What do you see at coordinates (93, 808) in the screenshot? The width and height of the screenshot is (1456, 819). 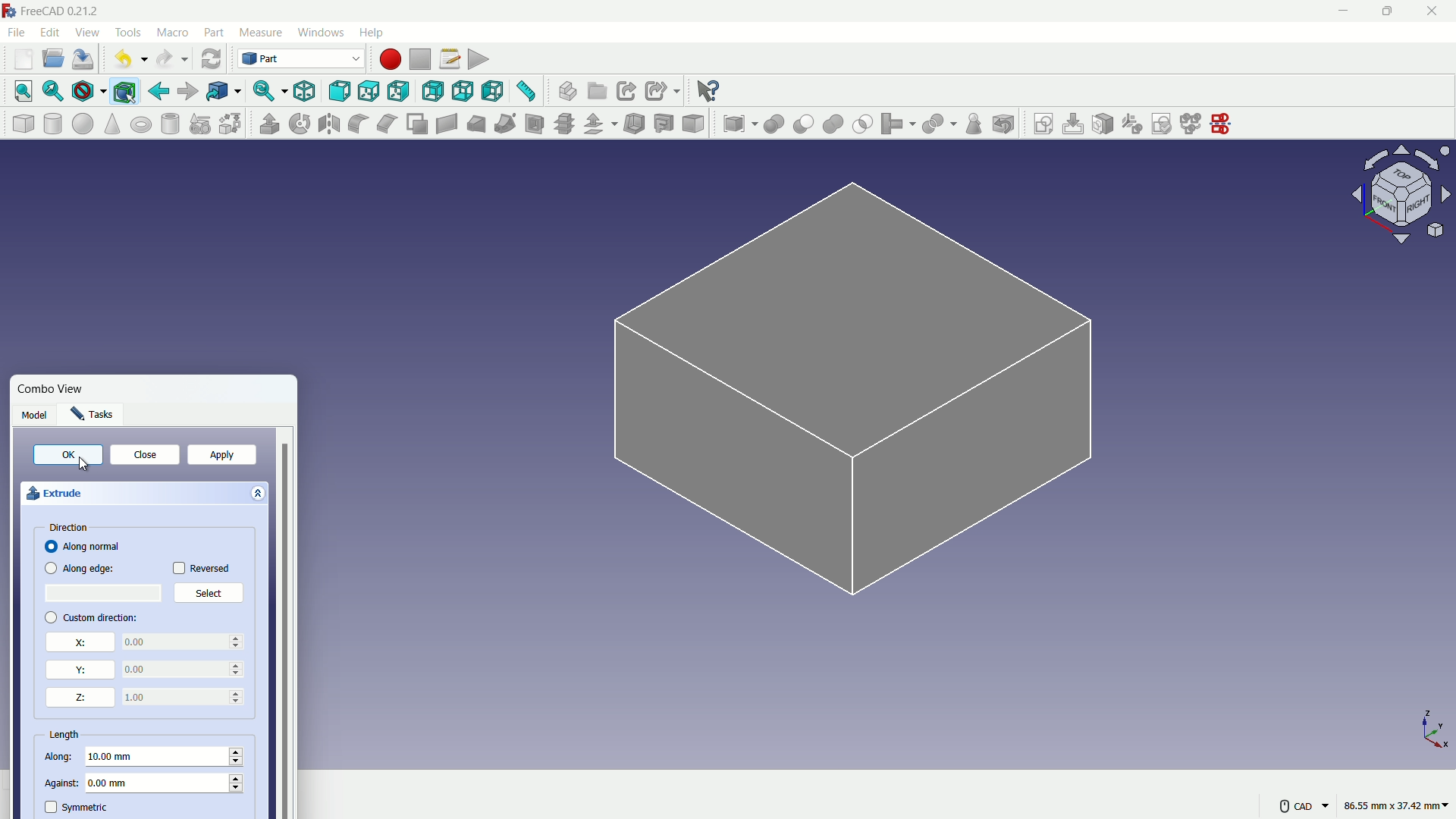 I see `symmetric` at bounding box center [93, 808].